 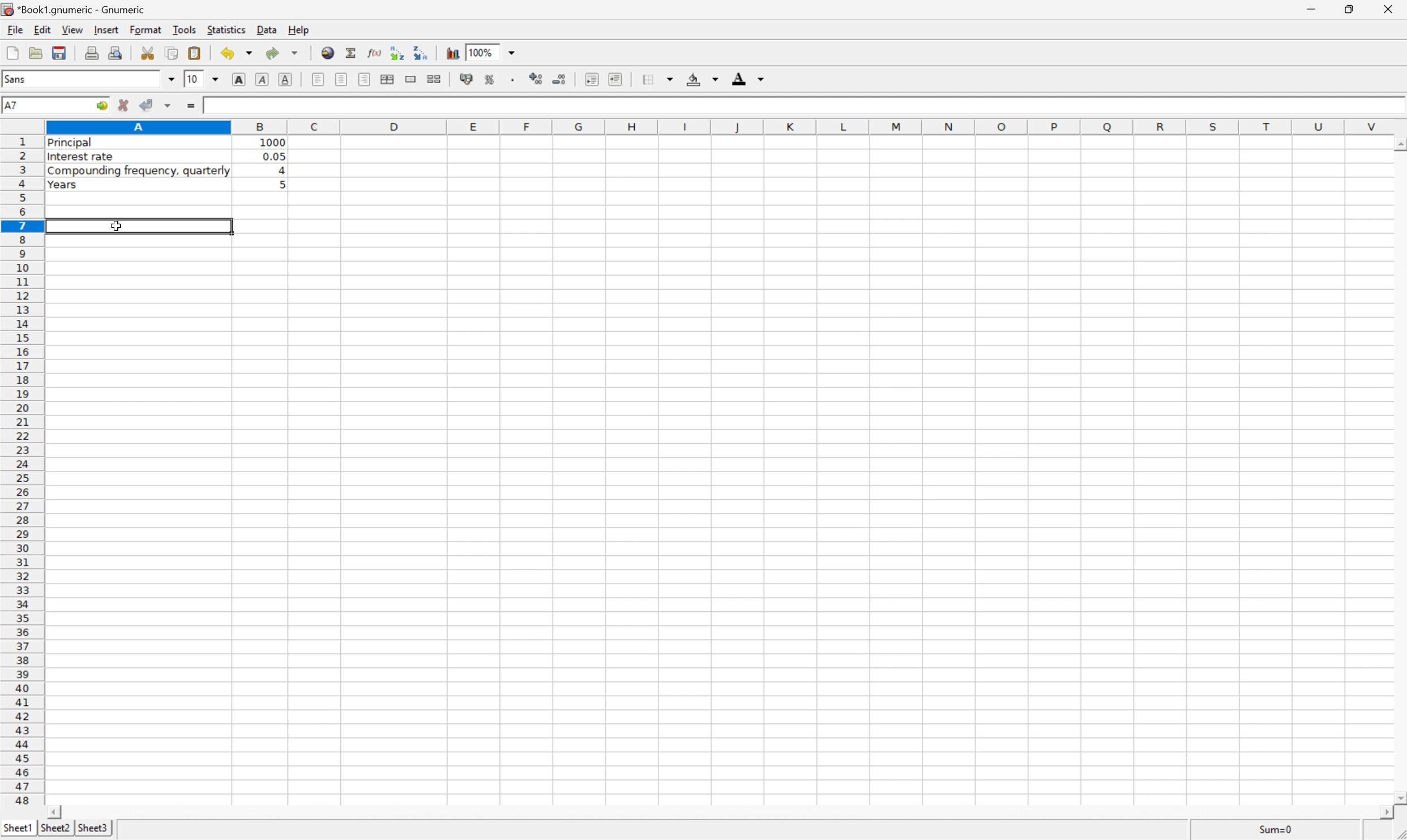 I want to click on 5, so click(x=280, y=183).